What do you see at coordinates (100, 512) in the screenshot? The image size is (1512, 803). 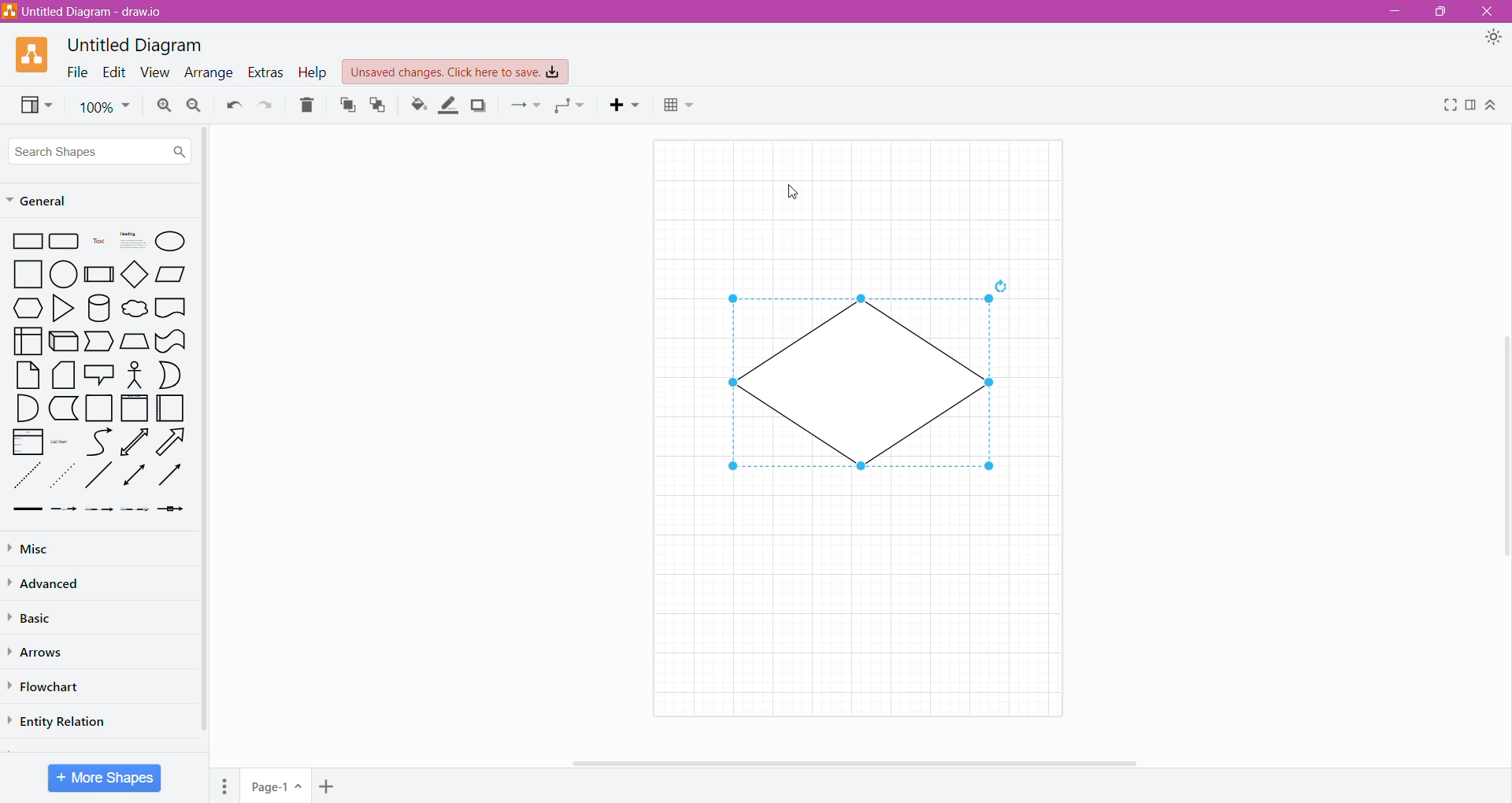 I see `Connector with 2 Labels` at bounding box center [100, 512].